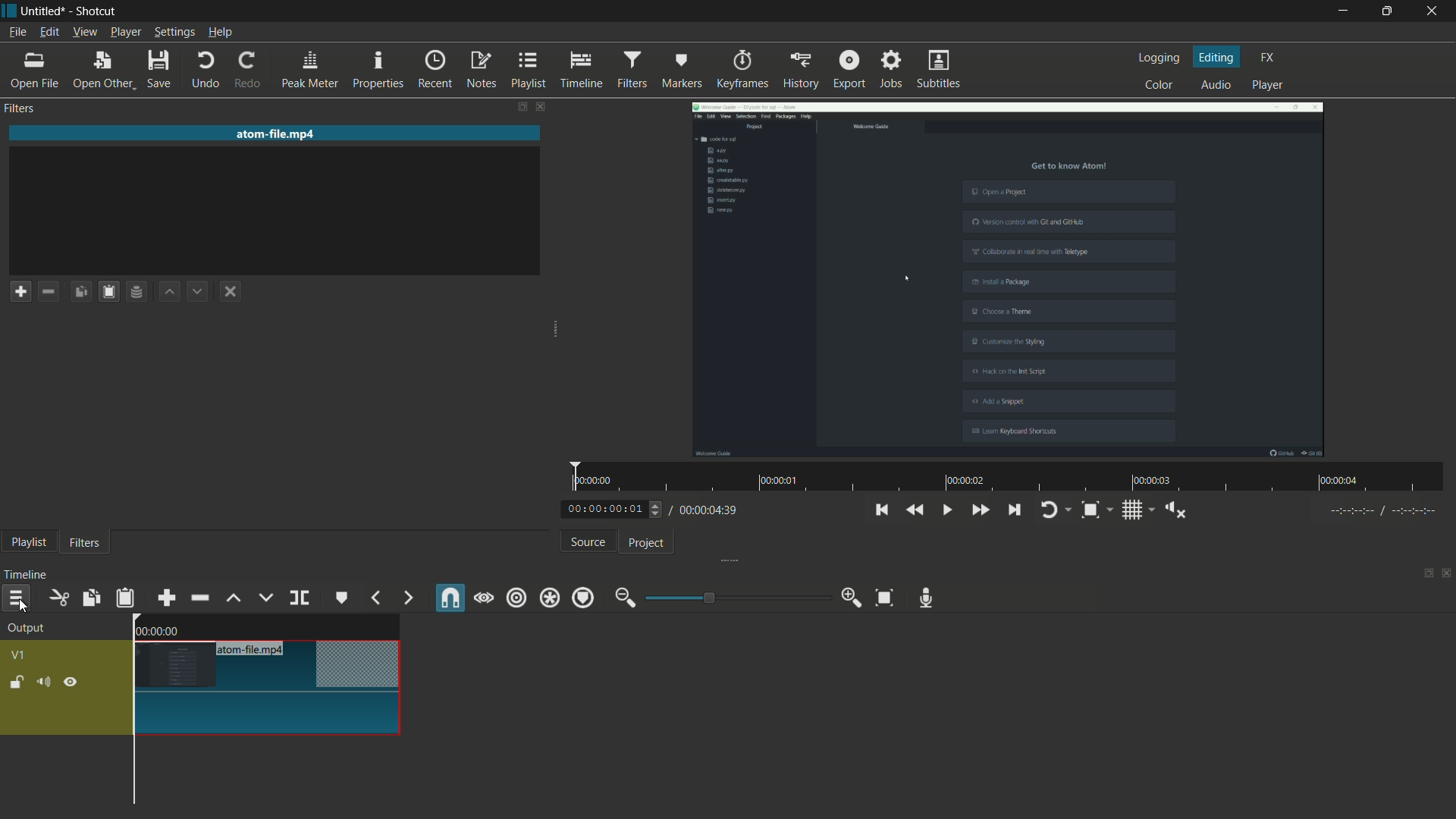  Describe the element at coordinates (1175, 510) in the screenshot. I see `show volume control` at that location.